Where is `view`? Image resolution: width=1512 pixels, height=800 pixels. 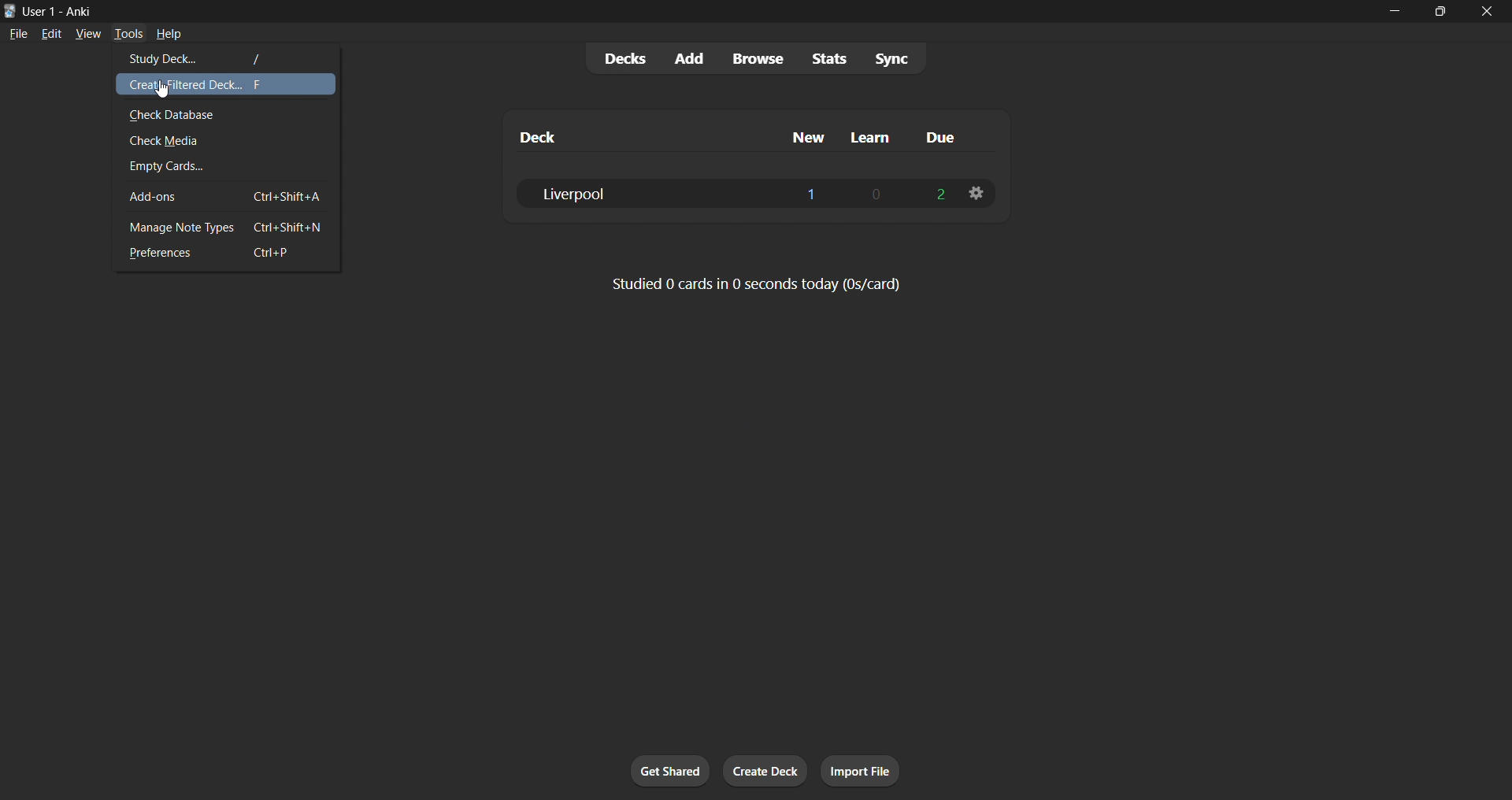
view is located at coordinates (86, 35).